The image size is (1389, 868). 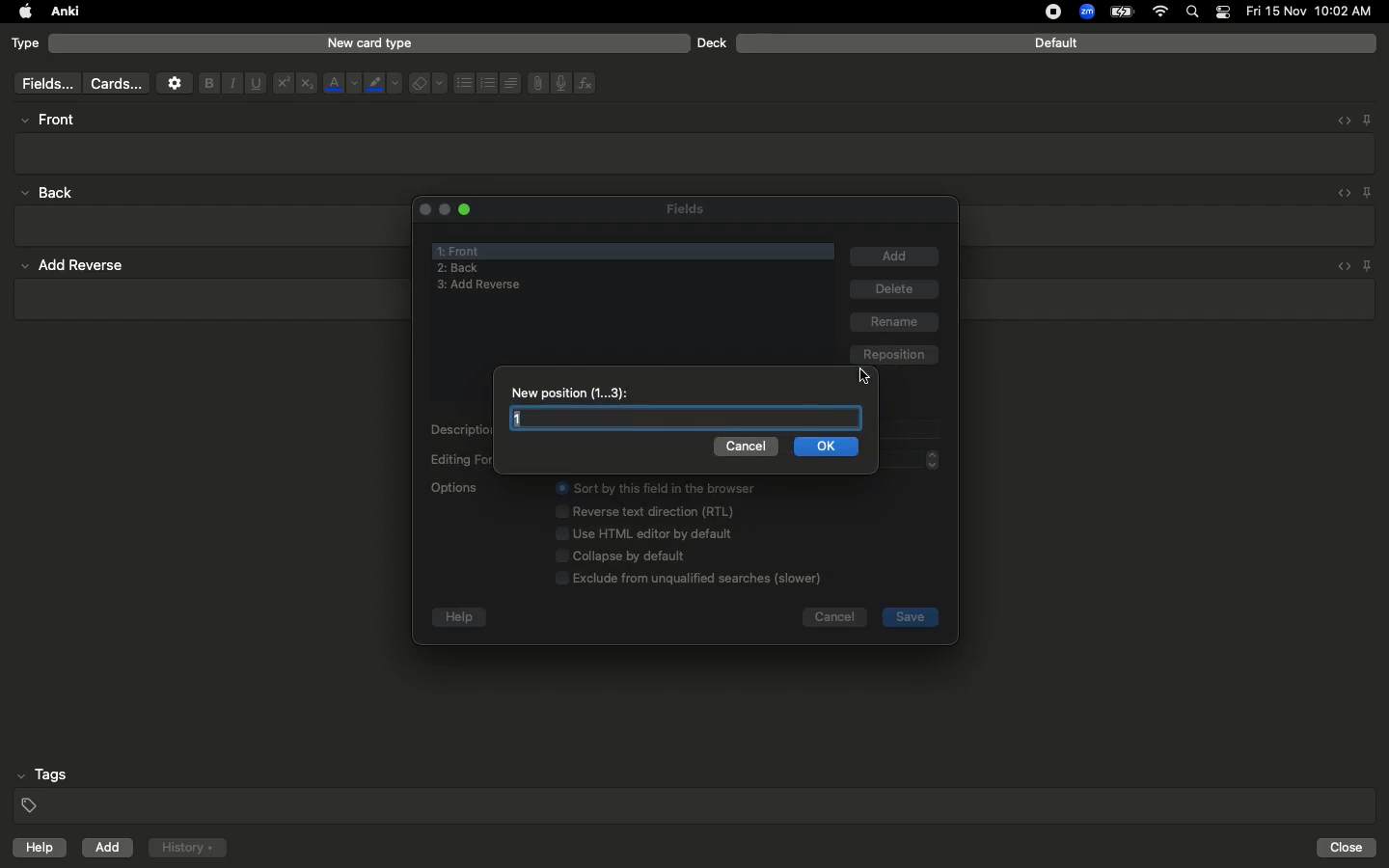 I want to click on add reverse, so click(x=479, y=285).